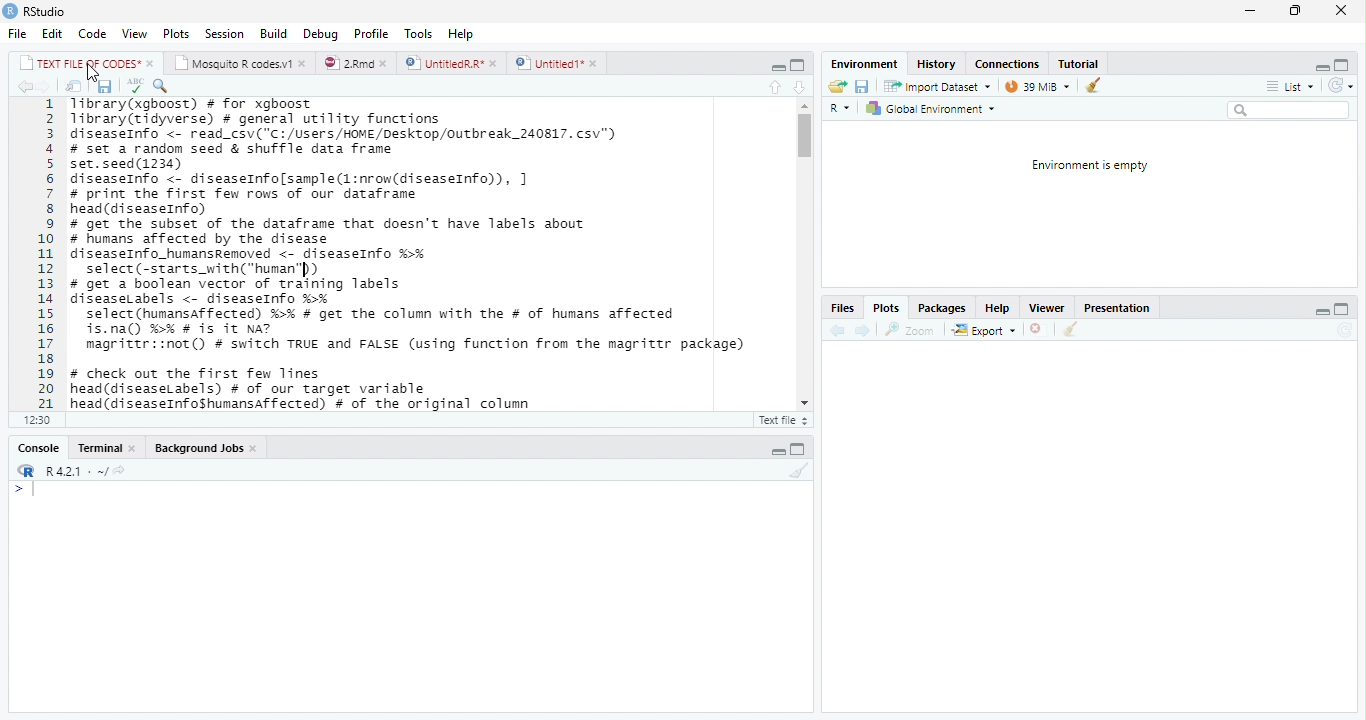  What do you see at coordinates (90, 34) in the screenshot?
I see `Code` at bounding box center [90, 34].